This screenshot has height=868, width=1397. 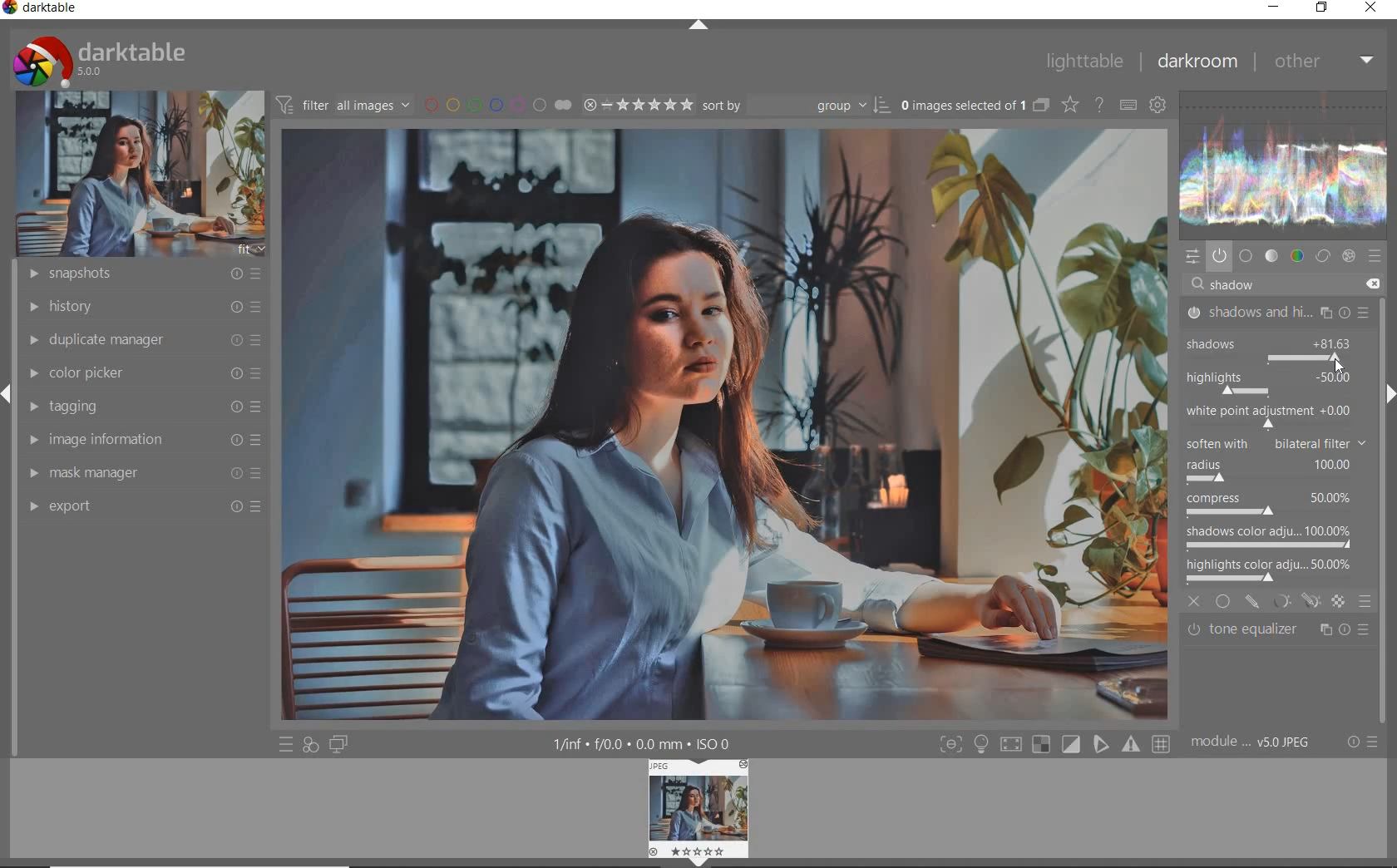 I want to click on snapshots, so click(x=139, y=274).